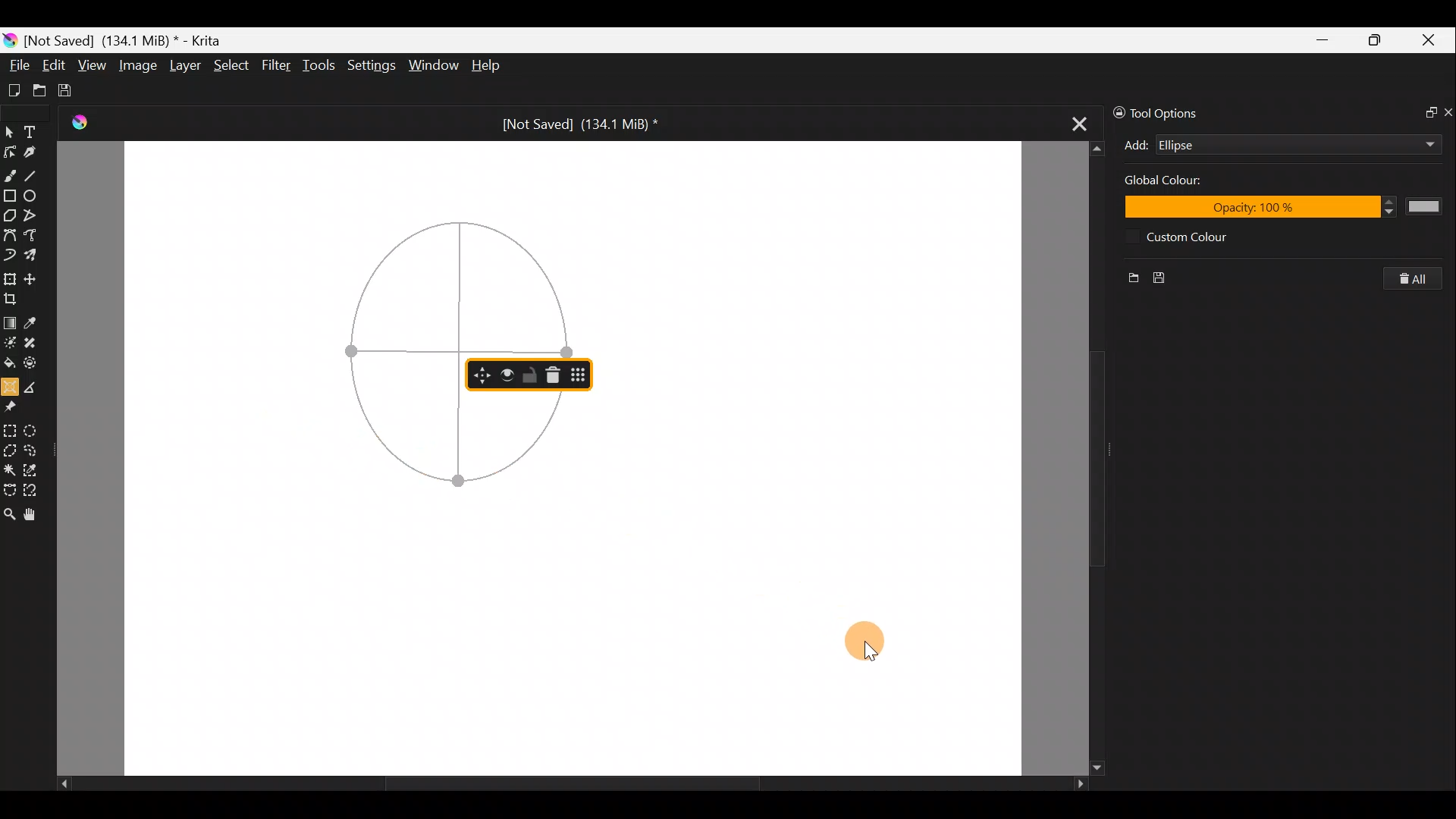 This screenshot has height=819, width=1456. Describe the element at coordinates (436, 64) in the screenshot. I see `Window` at that location.